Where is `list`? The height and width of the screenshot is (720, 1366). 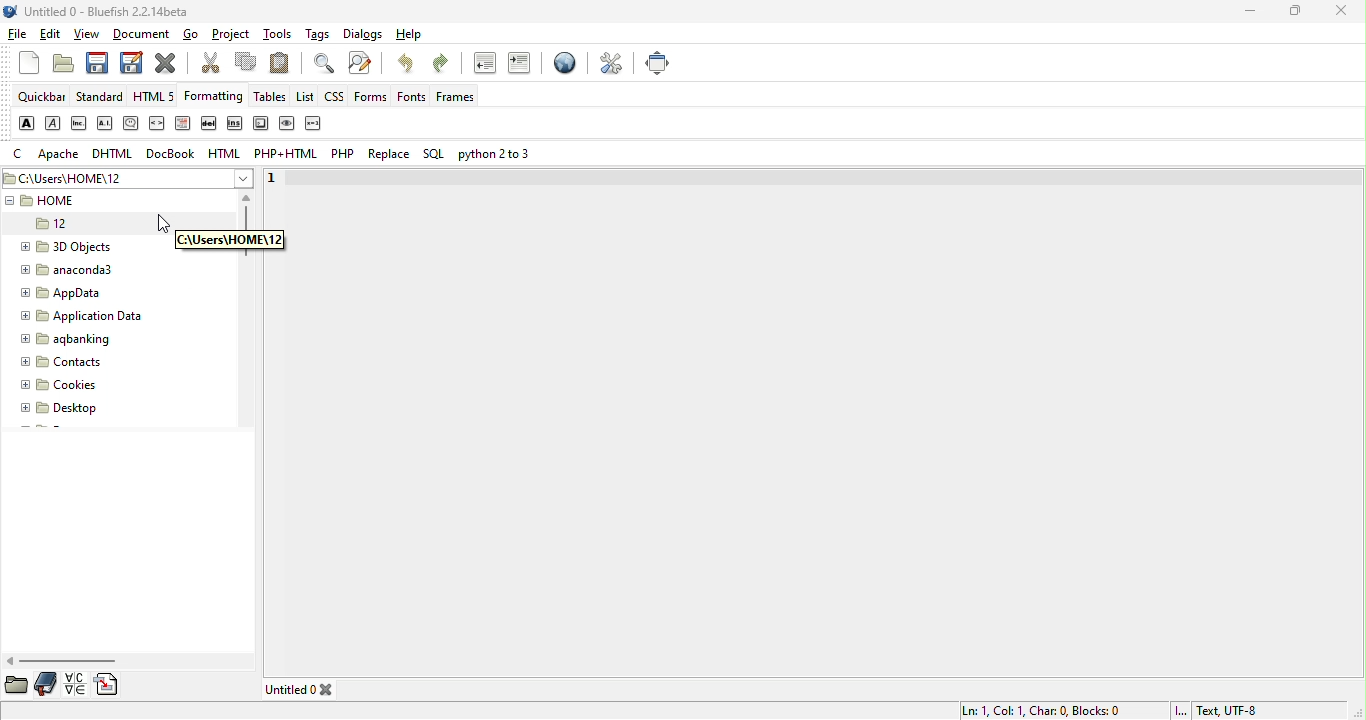 list is located at coordinates (306, 95).